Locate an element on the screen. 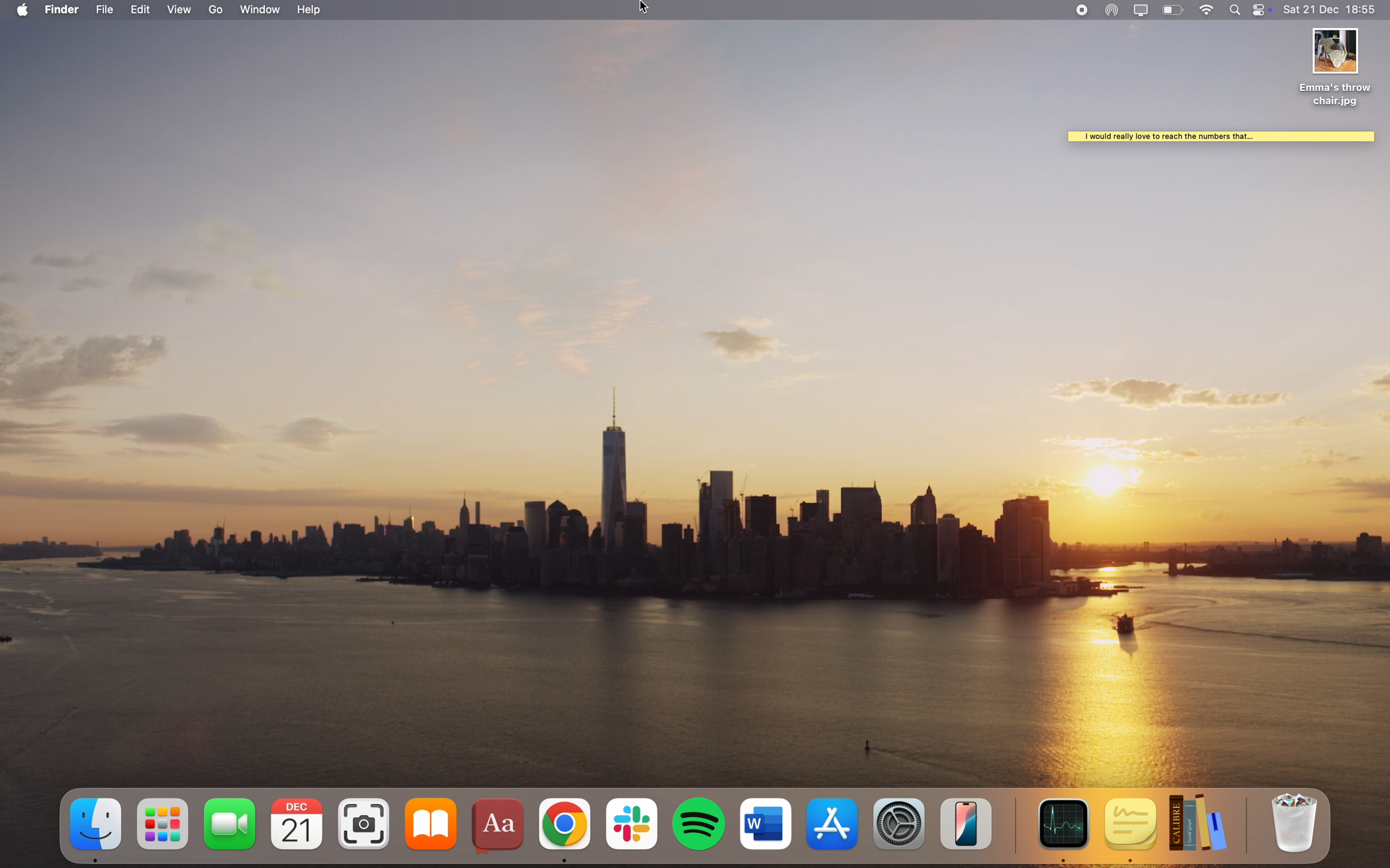 This screenshot has width=1390, height=868. Word is located at coordinates (768, 829).